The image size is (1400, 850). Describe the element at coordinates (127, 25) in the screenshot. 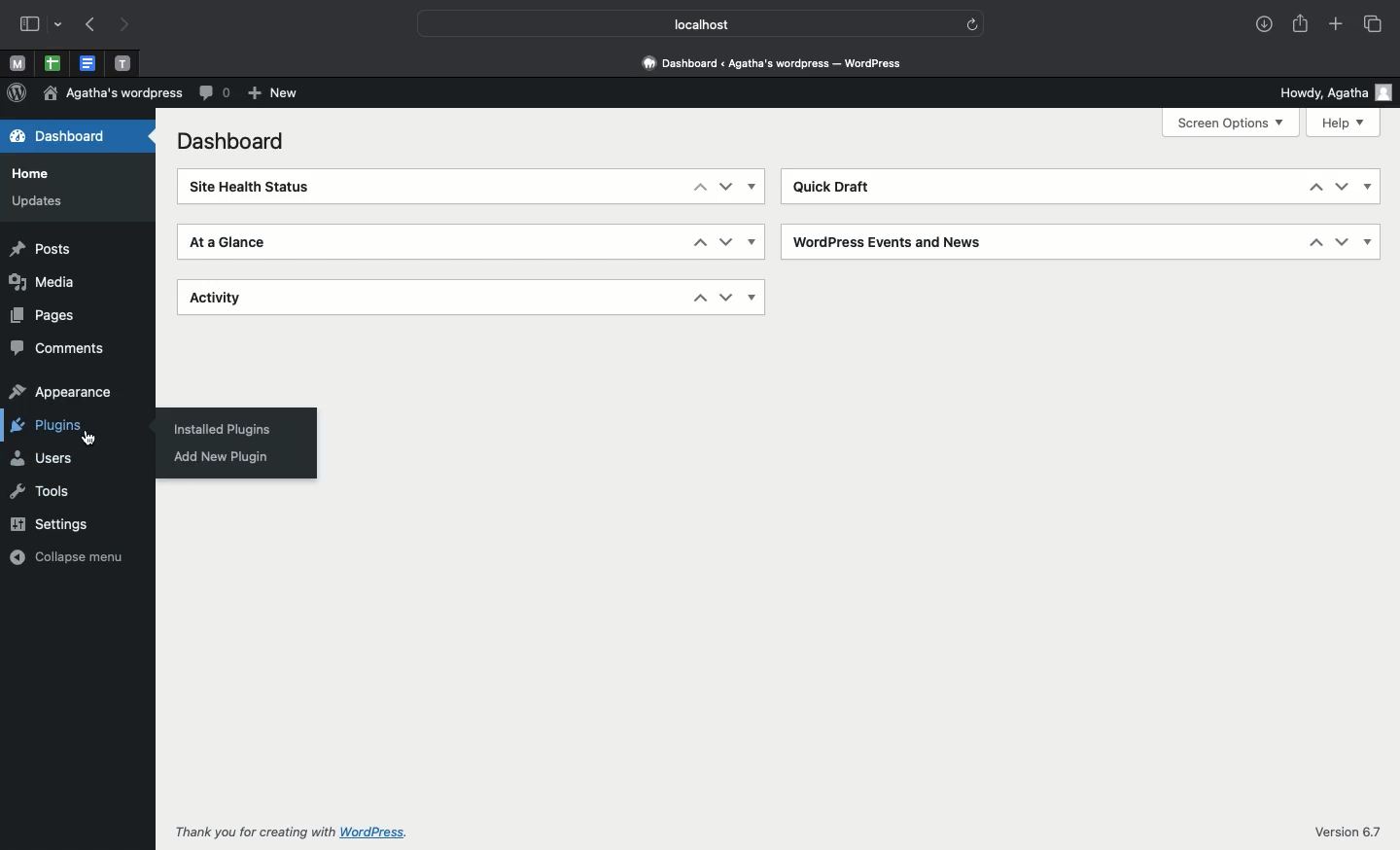

I see `Next page` at that location.